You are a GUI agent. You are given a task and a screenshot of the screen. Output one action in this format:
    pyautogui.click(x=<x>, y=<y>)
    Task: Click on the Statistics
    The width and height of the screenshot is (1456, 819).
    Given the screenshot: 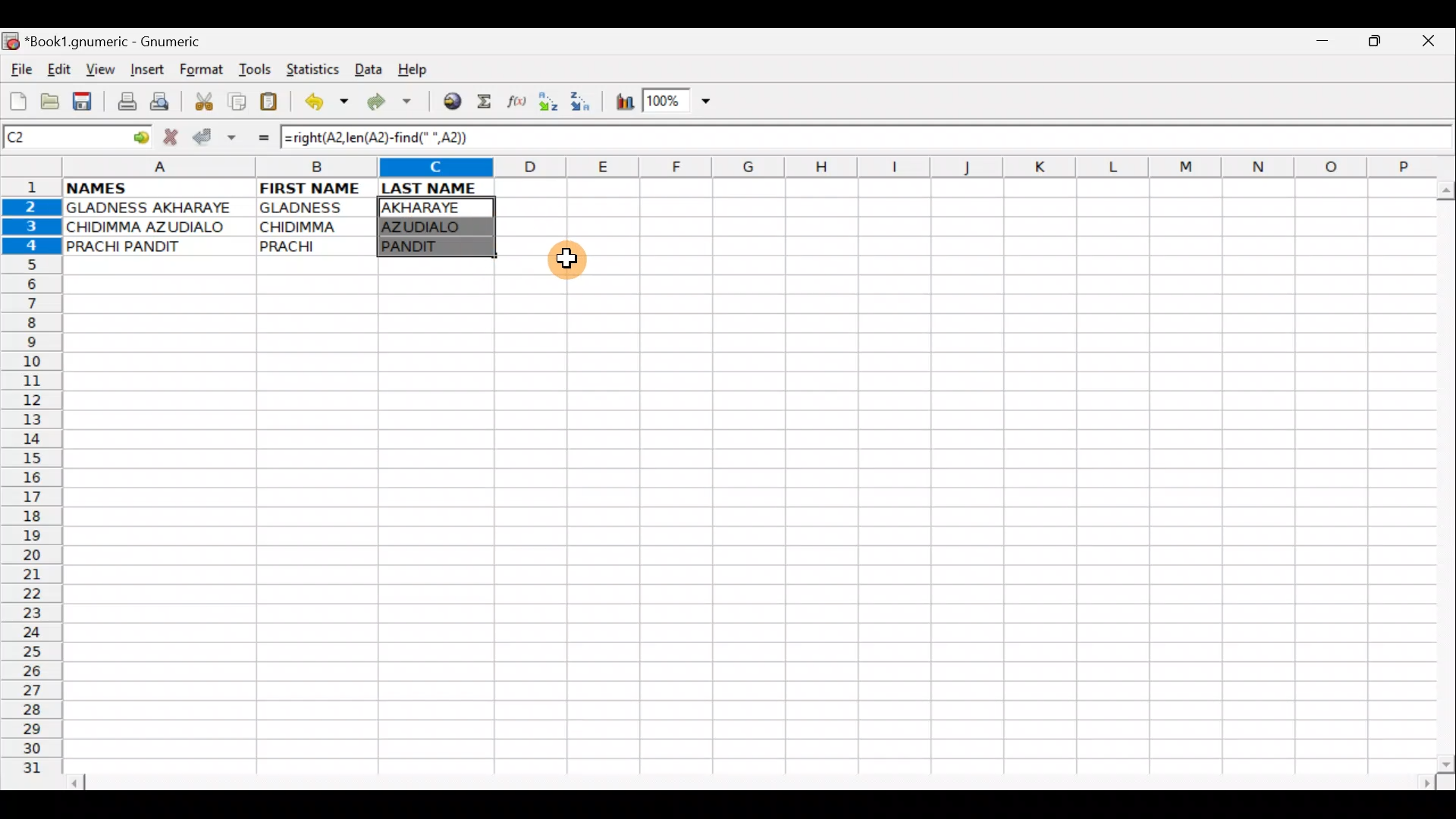 What is the action you would take?
    pyautogui.click(x=317, y=68)
    